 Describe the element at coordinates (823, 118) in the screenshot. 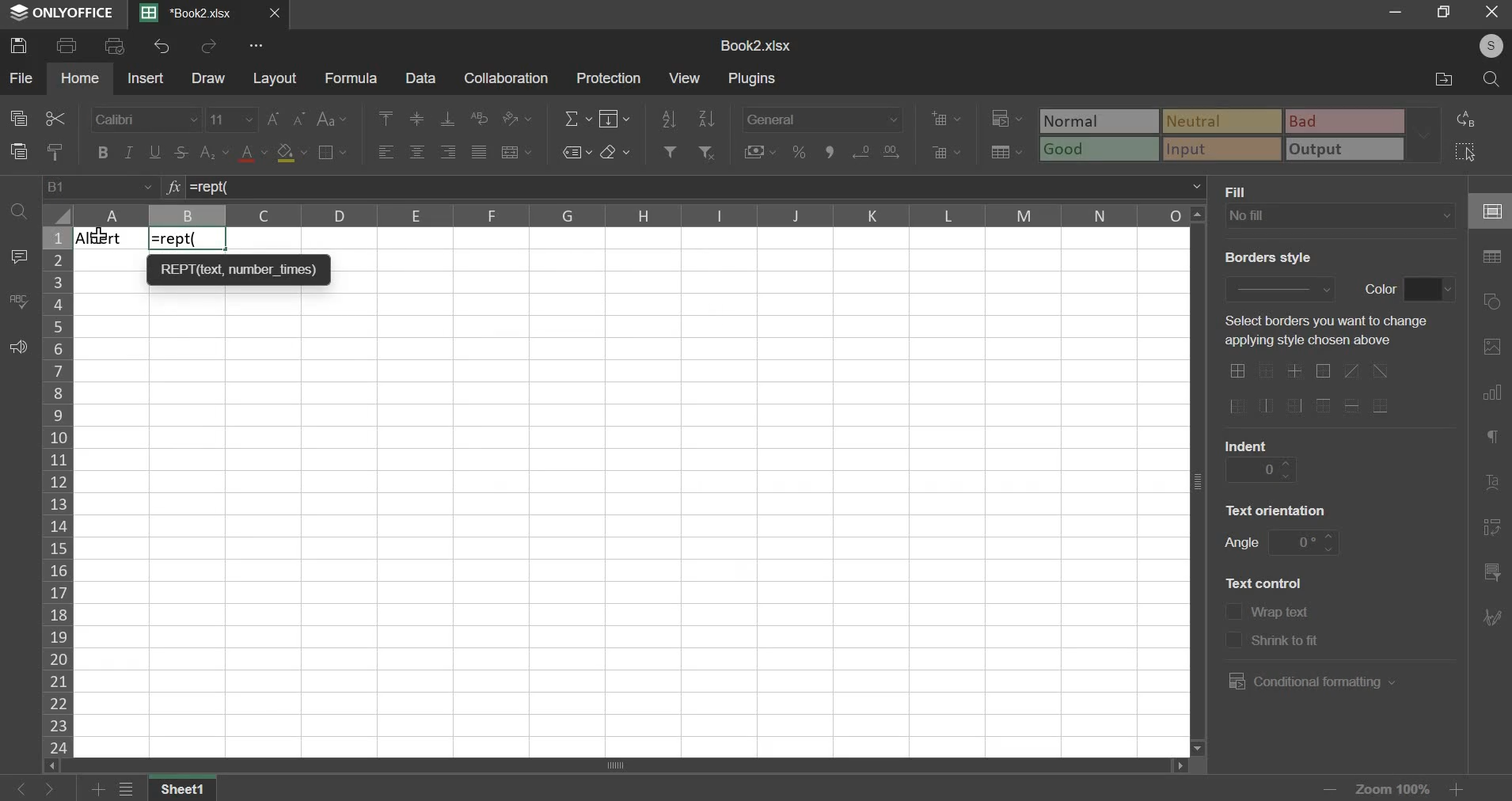

I see `number format` at that location.